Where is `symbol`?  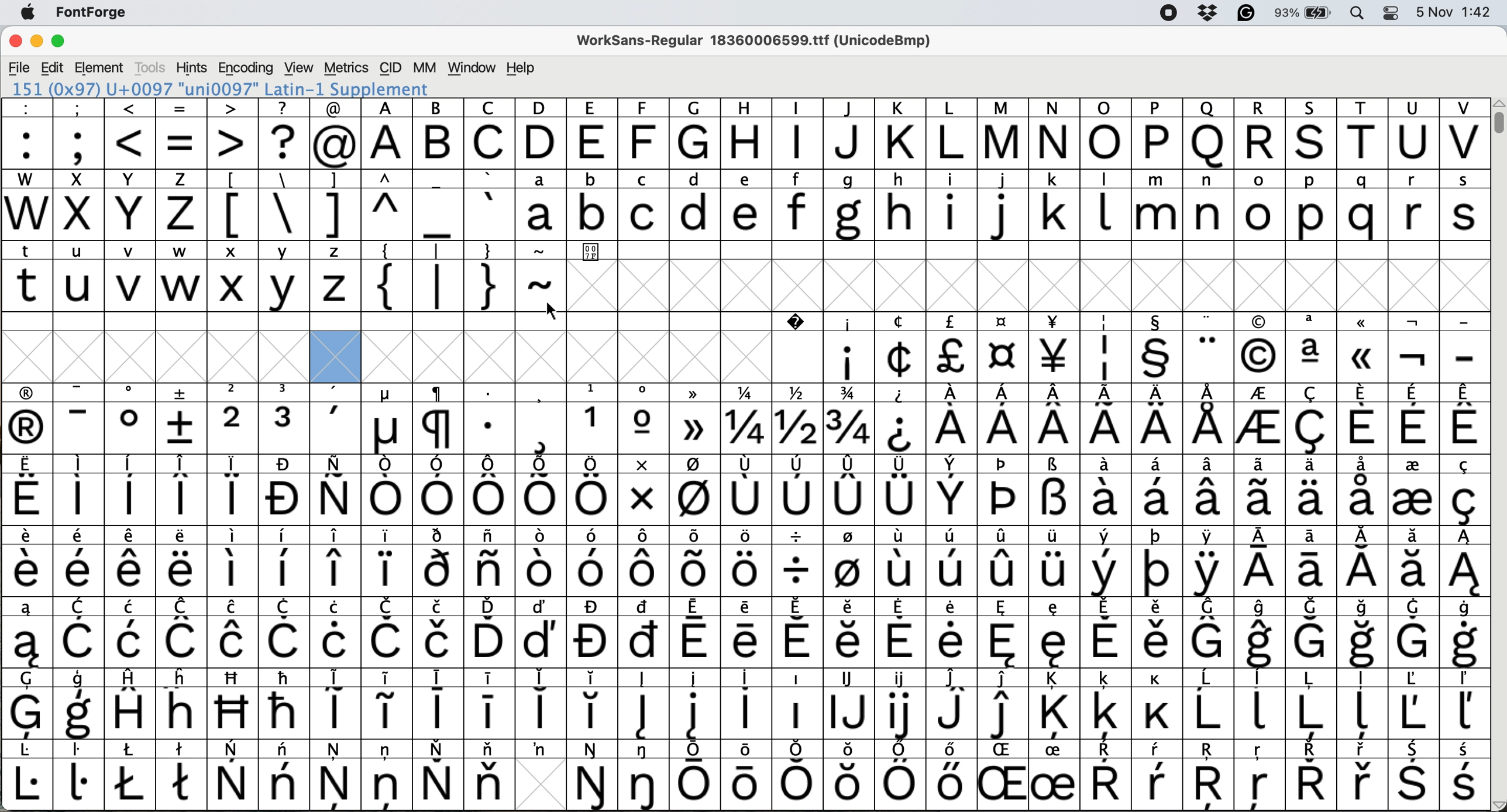 symbol is located at coordinates (696, 775).